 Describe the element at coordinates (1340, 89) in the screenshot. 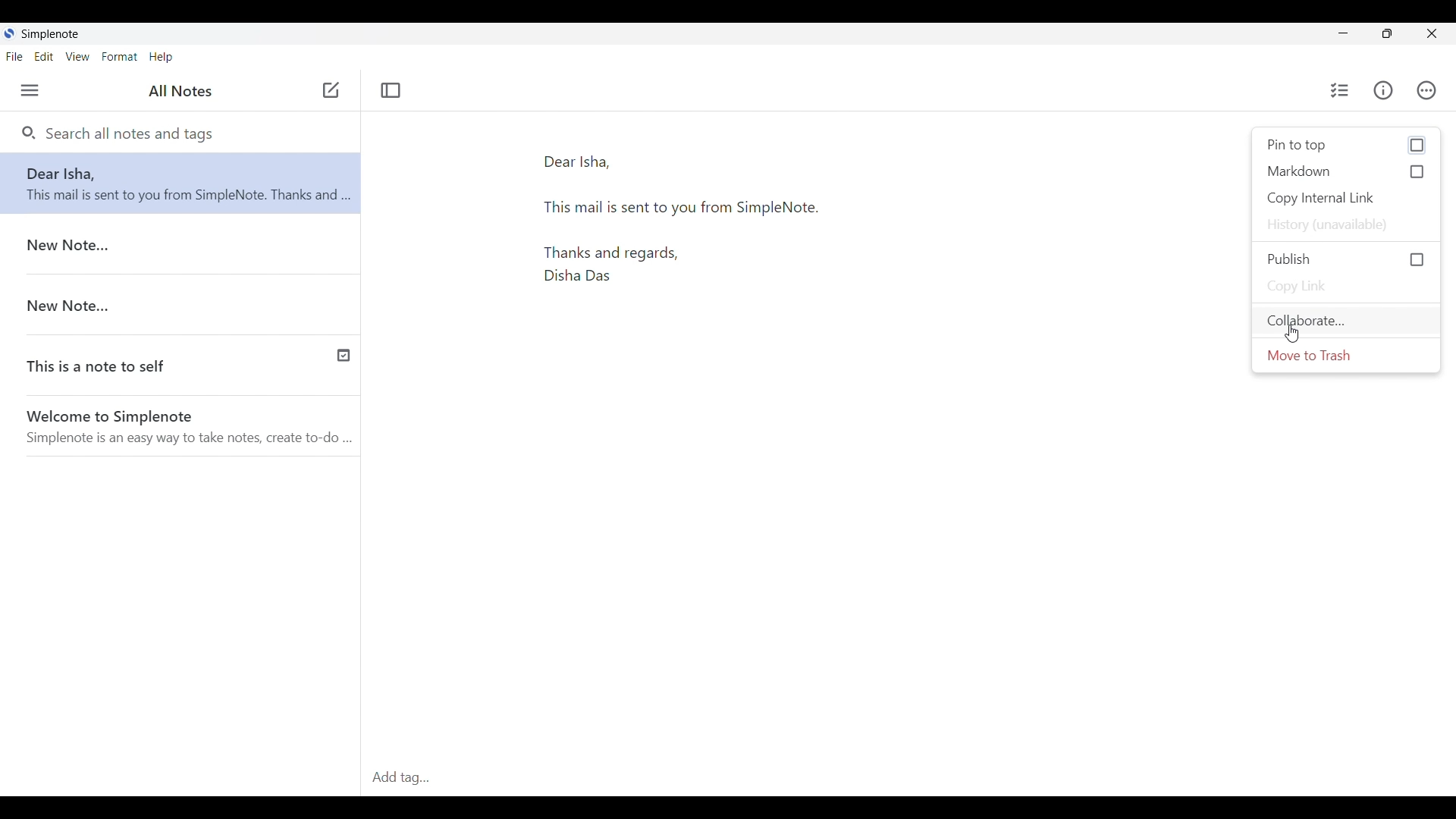

I see `Insert checklist` at that location.